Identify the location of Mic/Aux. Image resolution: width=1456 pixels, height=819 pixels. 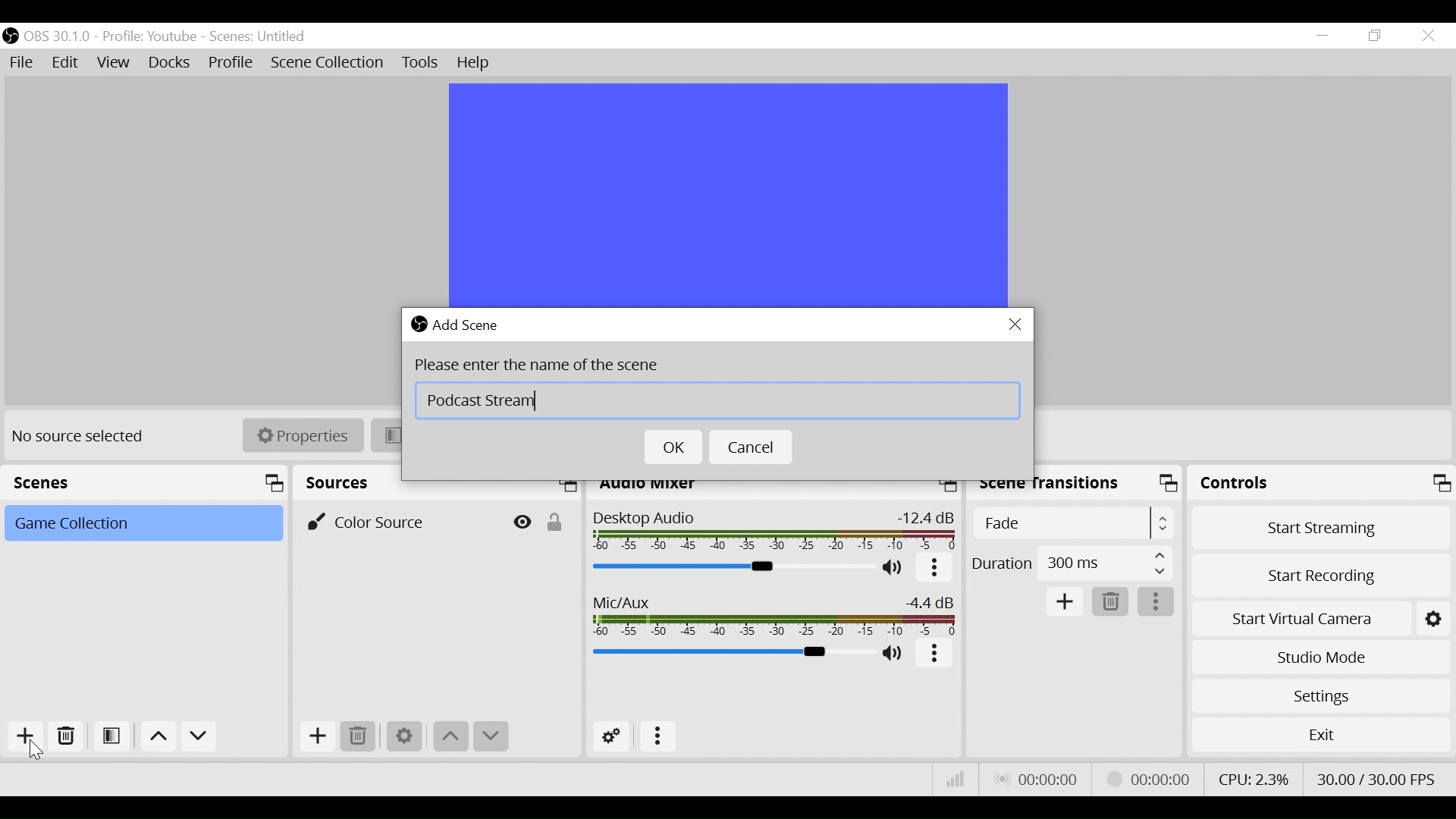
(776, 616).